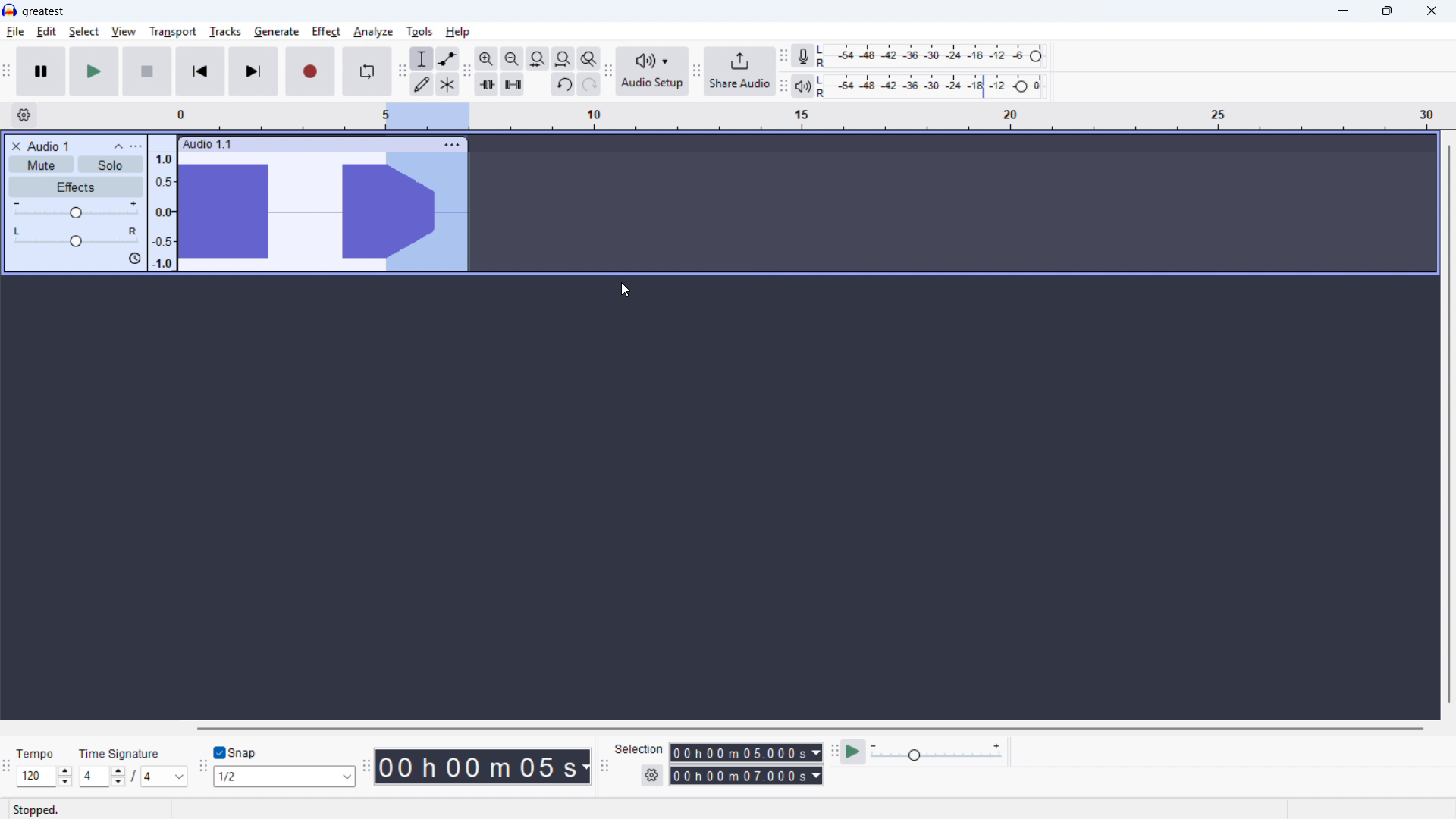  I want to click on Trim audio outside selection , so click(487, 85).